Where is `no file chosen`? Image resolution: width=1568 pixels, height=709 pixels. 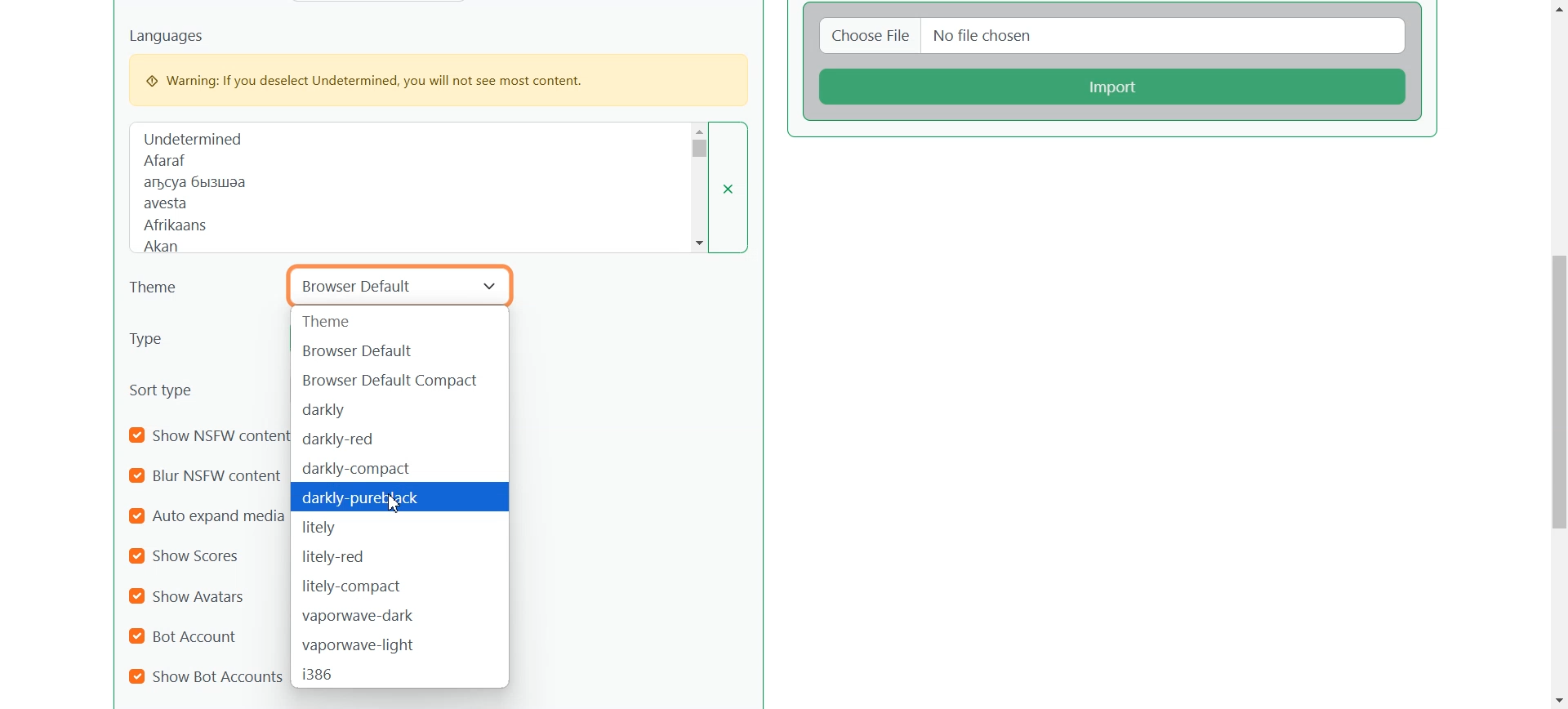 no file chosen is located at coordinates (1168, 35).